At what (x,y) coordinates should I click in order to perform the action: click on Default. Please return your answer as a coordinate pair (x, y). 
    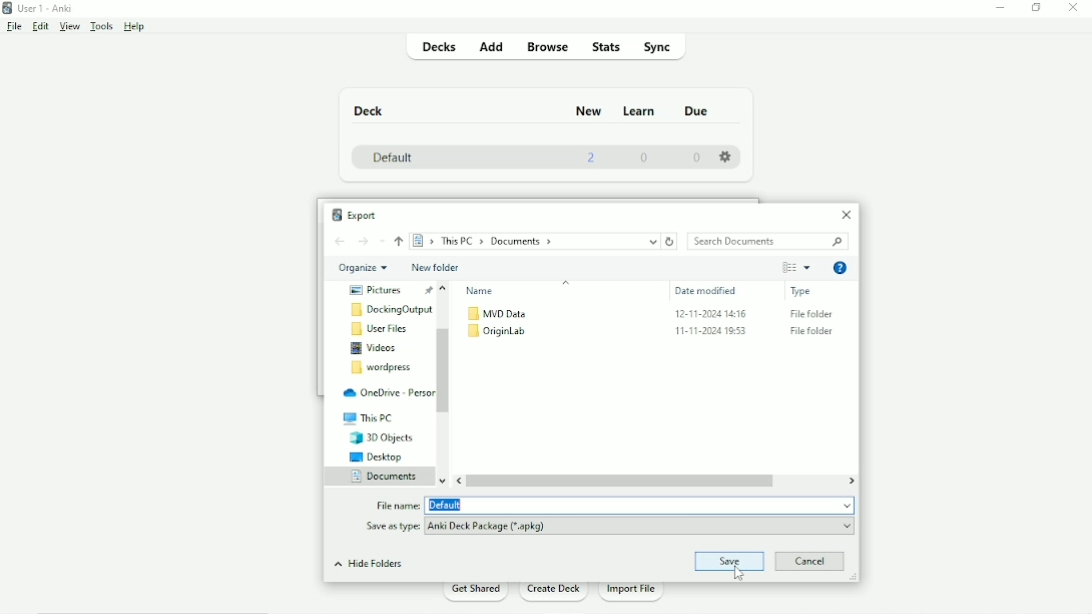
    Looking at the image, I should click on (393, 159).